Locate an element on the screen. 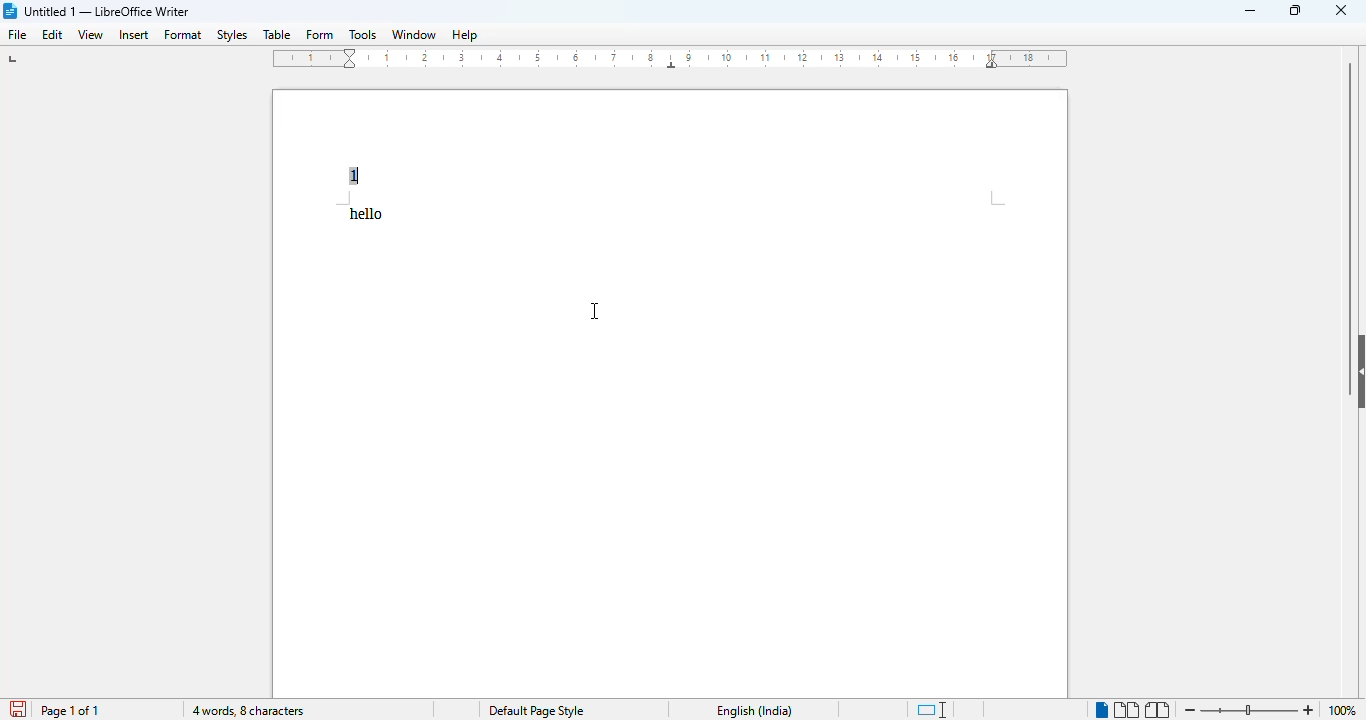 The height and width of the screenshot is (720, 1366). format is located at coordinates (184, 35).